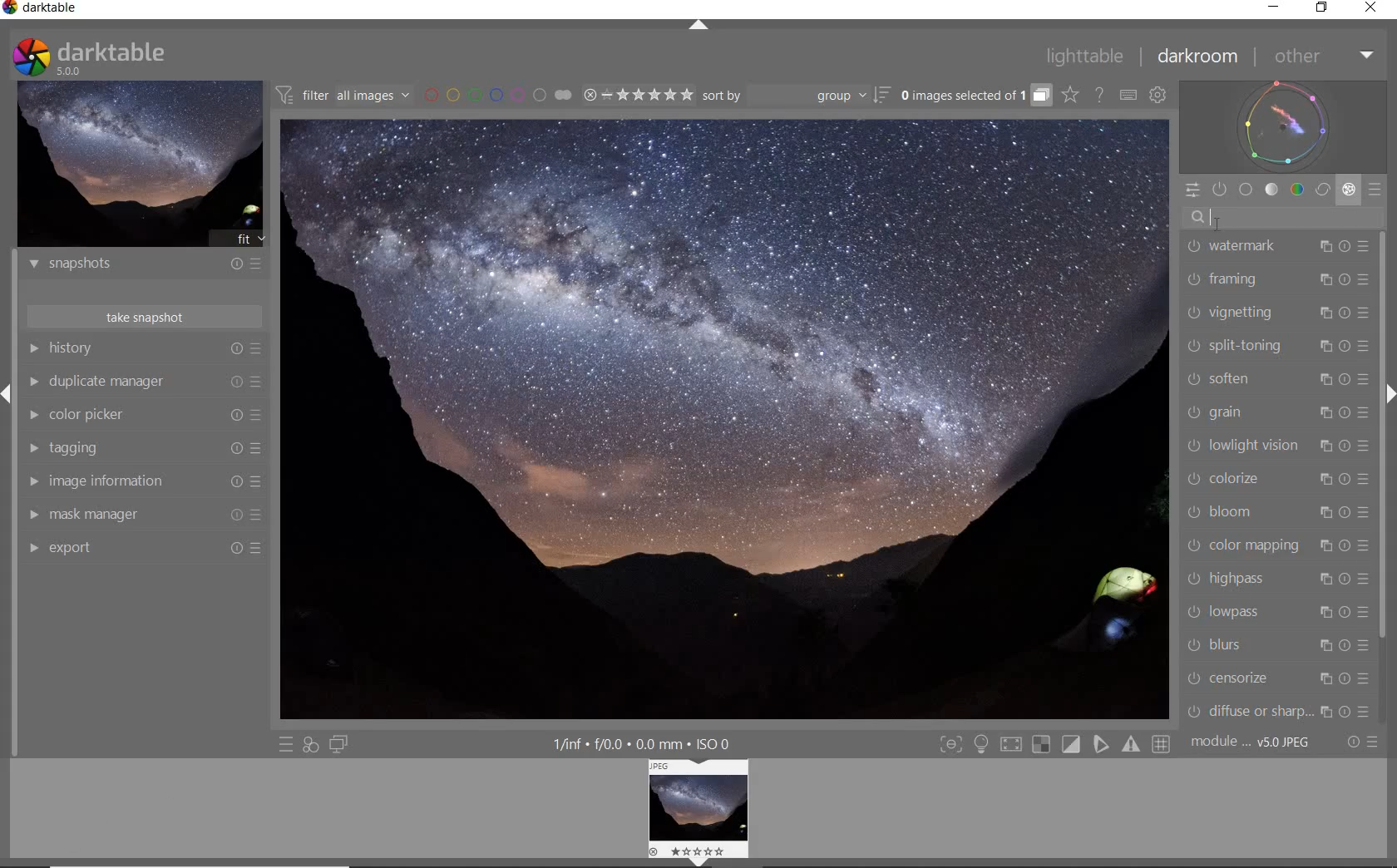 Image resolution: width=1397 pixels, height=868 pixels. I want to click on presets, so click(1366, 448).